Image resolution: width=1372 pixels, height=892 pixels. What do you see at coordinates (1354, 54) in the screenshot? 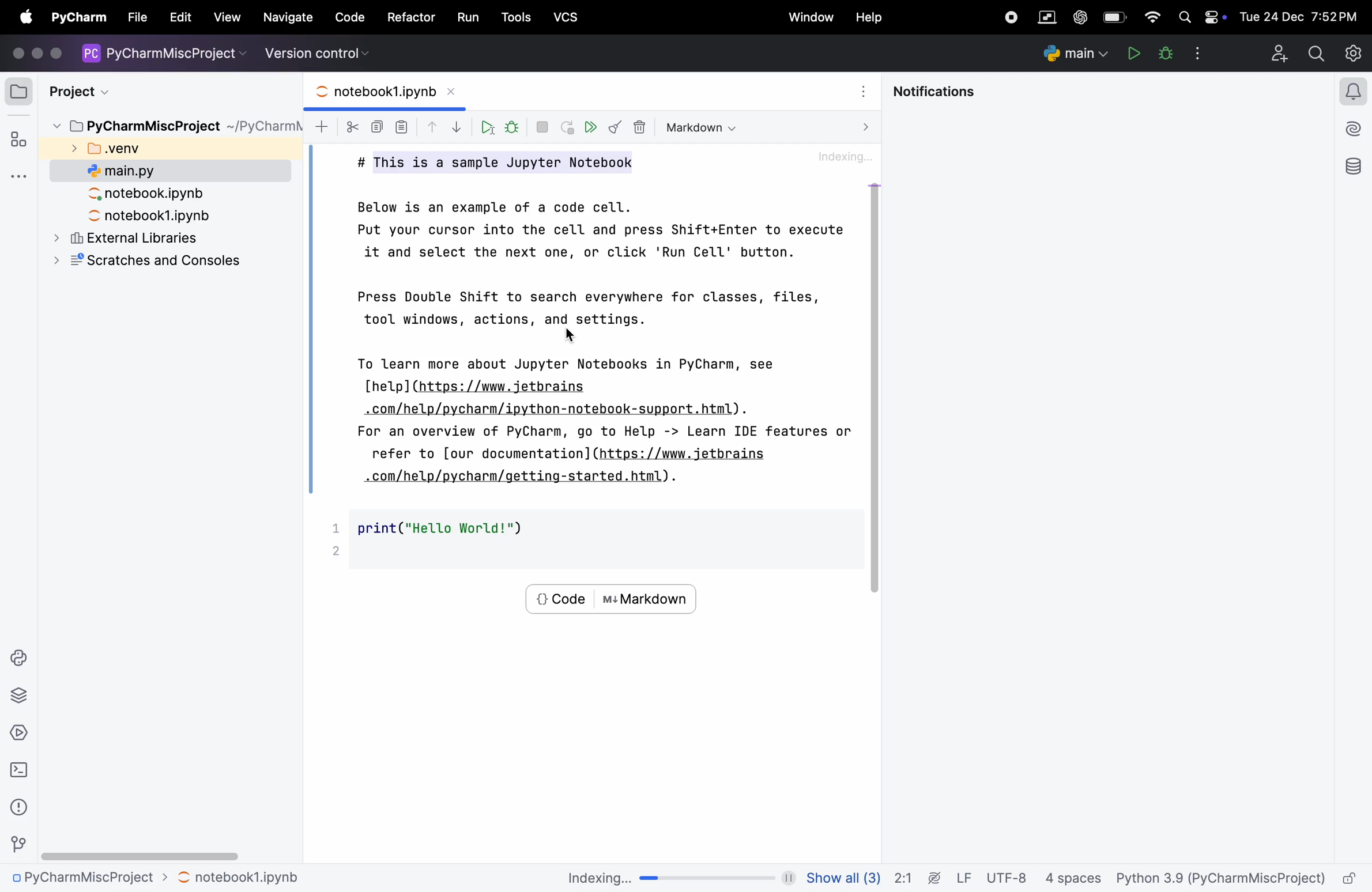
I see `settings` at bounding box center [1354, 54].